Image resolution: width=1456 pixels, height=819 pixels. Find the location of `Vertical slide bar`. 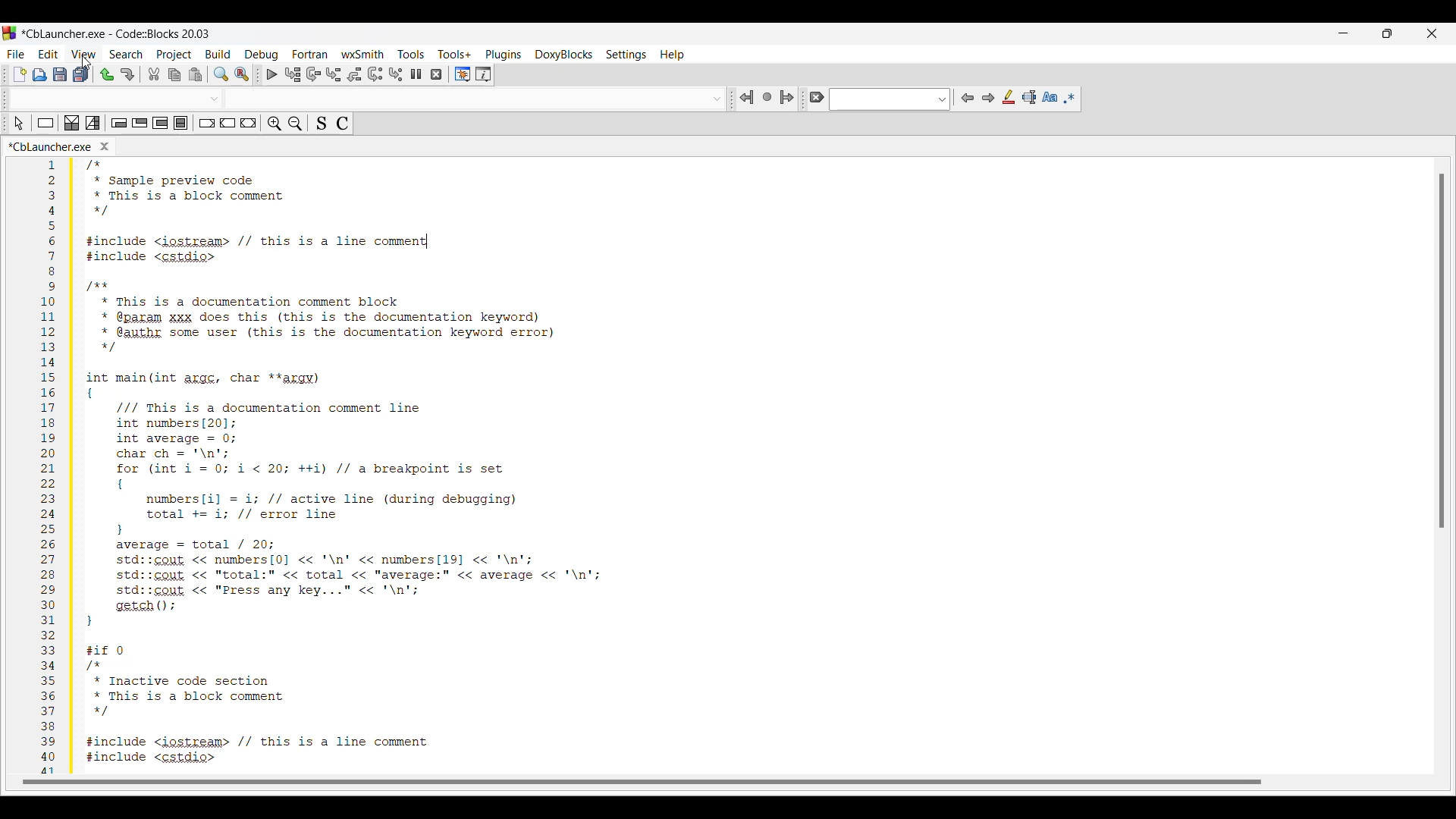

Vertical slide bar is located at coordinates (1442, 352).